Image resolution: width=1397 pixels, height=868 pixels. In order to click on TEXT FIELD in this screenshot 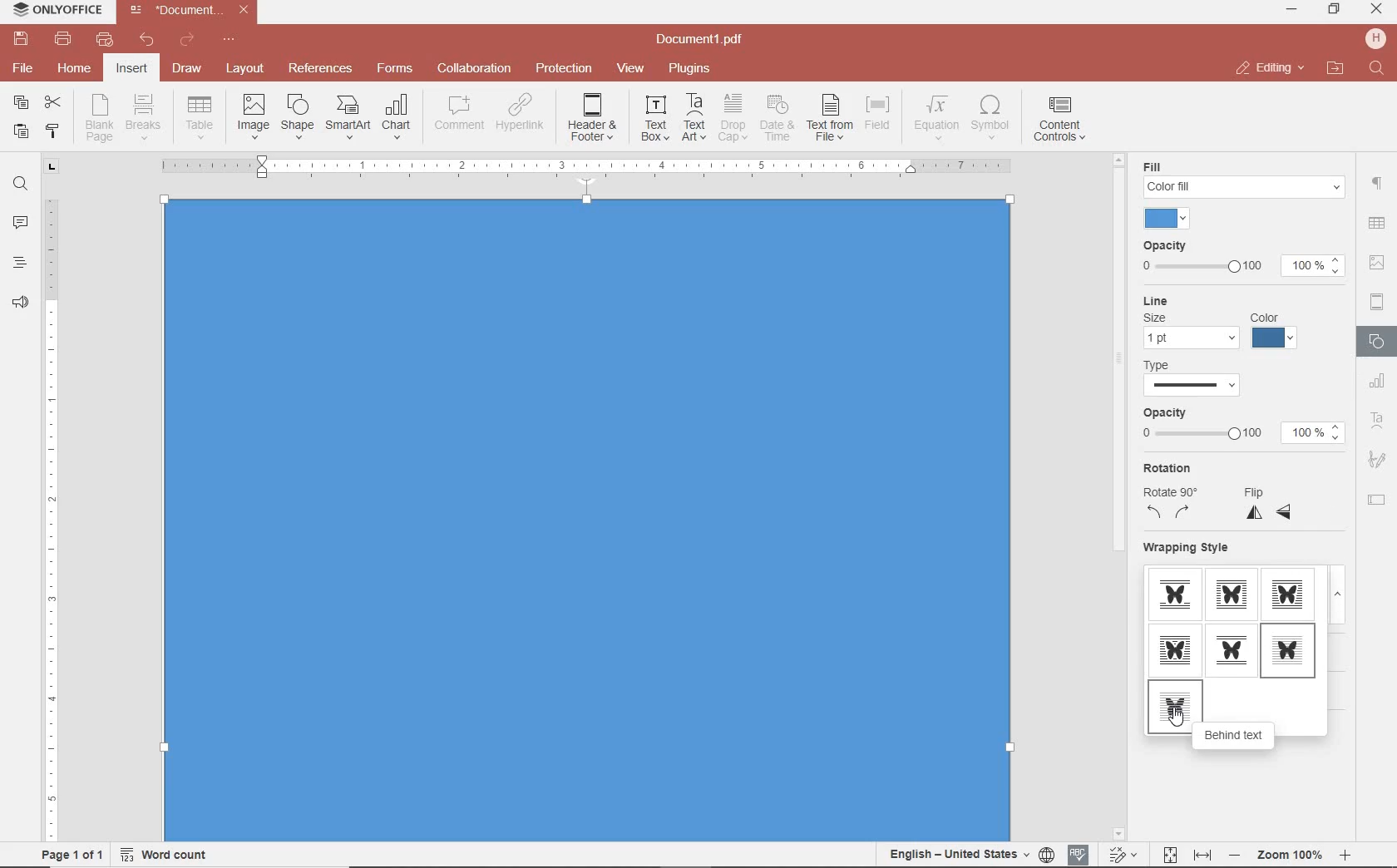, I will do `click(1377, 499)`.